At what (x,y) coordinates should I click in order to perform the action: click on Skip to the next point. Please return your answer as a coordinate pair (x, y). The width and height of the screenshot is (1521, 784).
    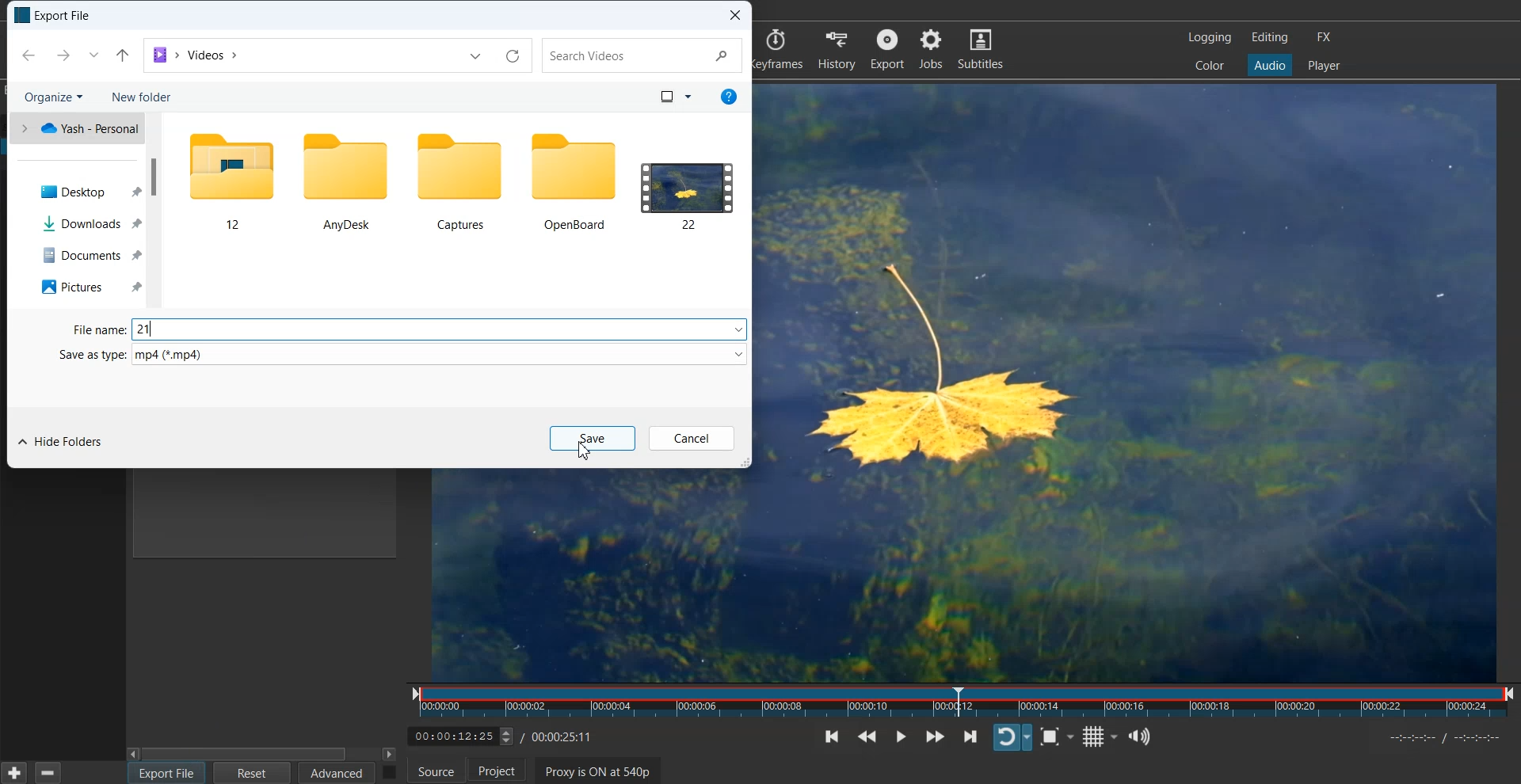
    Looking at the image, I should click on (969, 736).